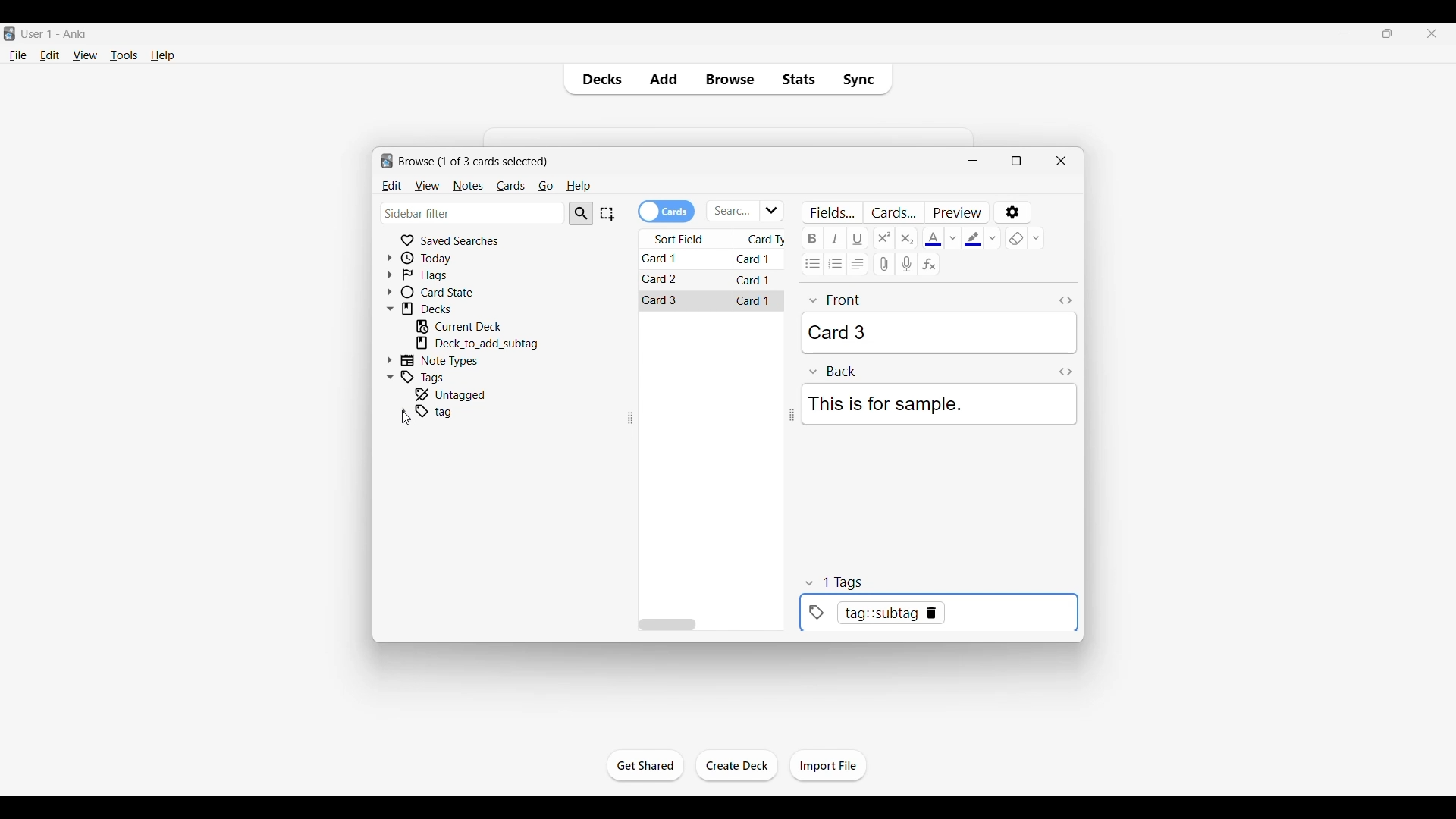 This screenshot has height=819, width=1456. Describe the element at coordinates (938, 404) in the screenshot. I see `This is for sample` at that location.